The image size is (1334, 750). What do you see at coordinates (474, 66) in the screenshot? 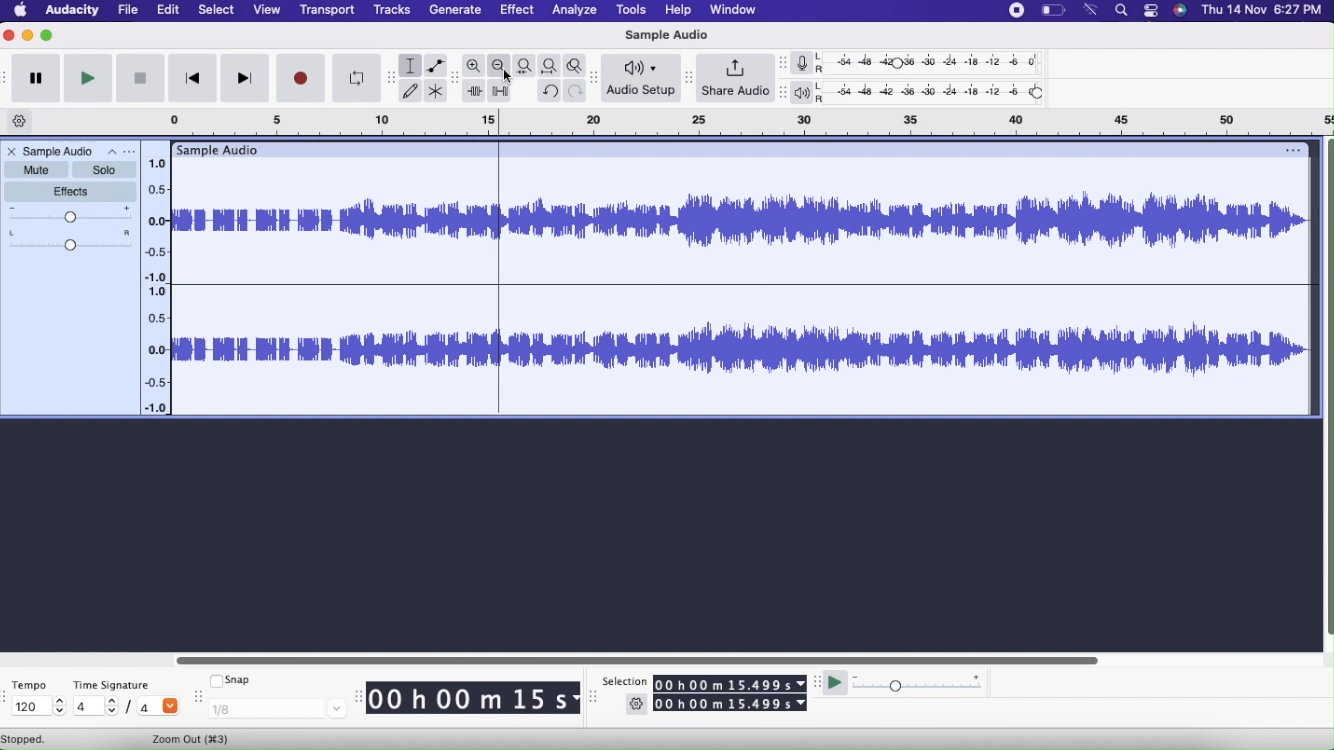
I see `Zoom In` at bounding box center [474, 66].